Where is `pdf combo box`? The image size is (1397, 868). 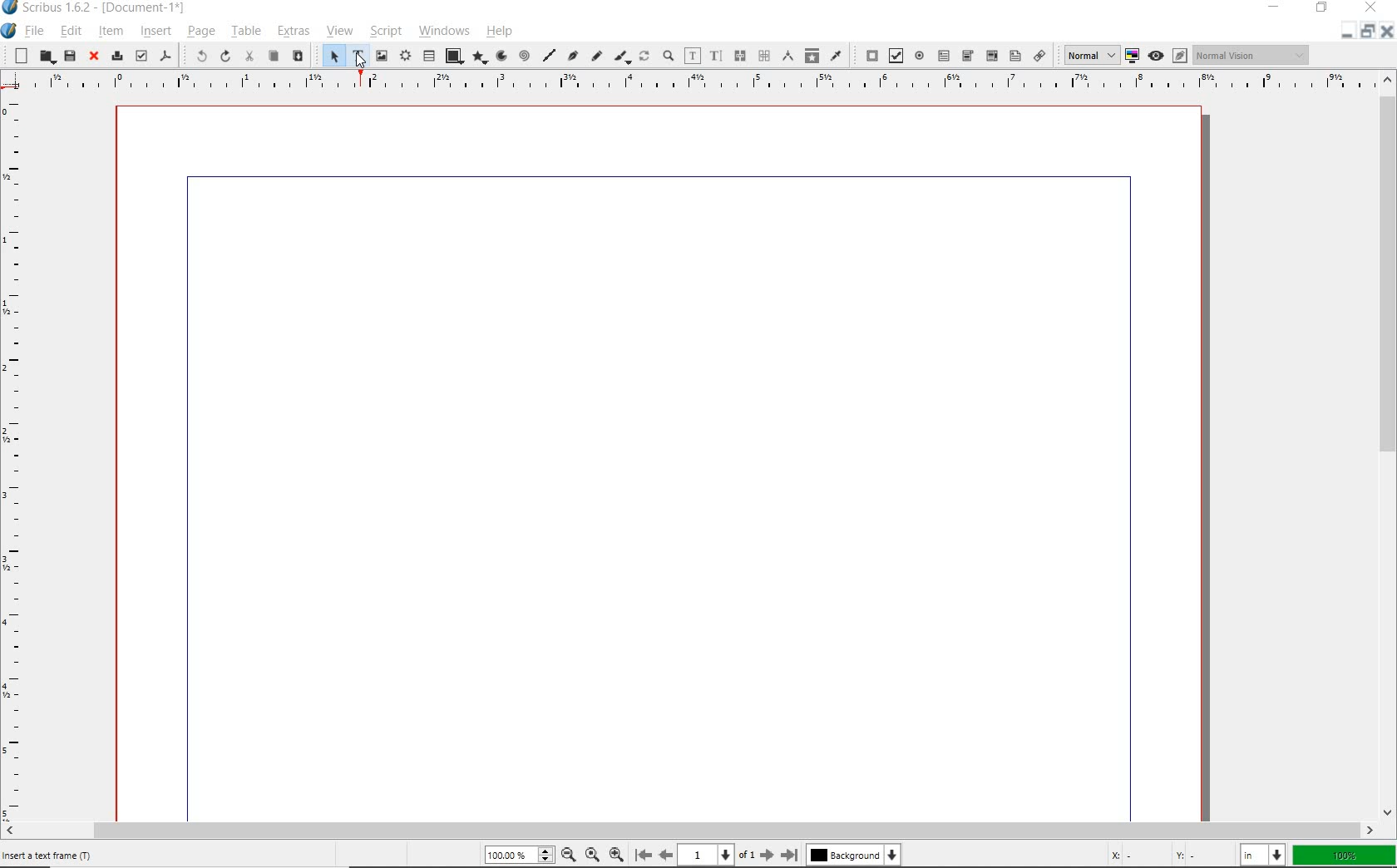
pdf combo box is located at coordinates (990, 56).